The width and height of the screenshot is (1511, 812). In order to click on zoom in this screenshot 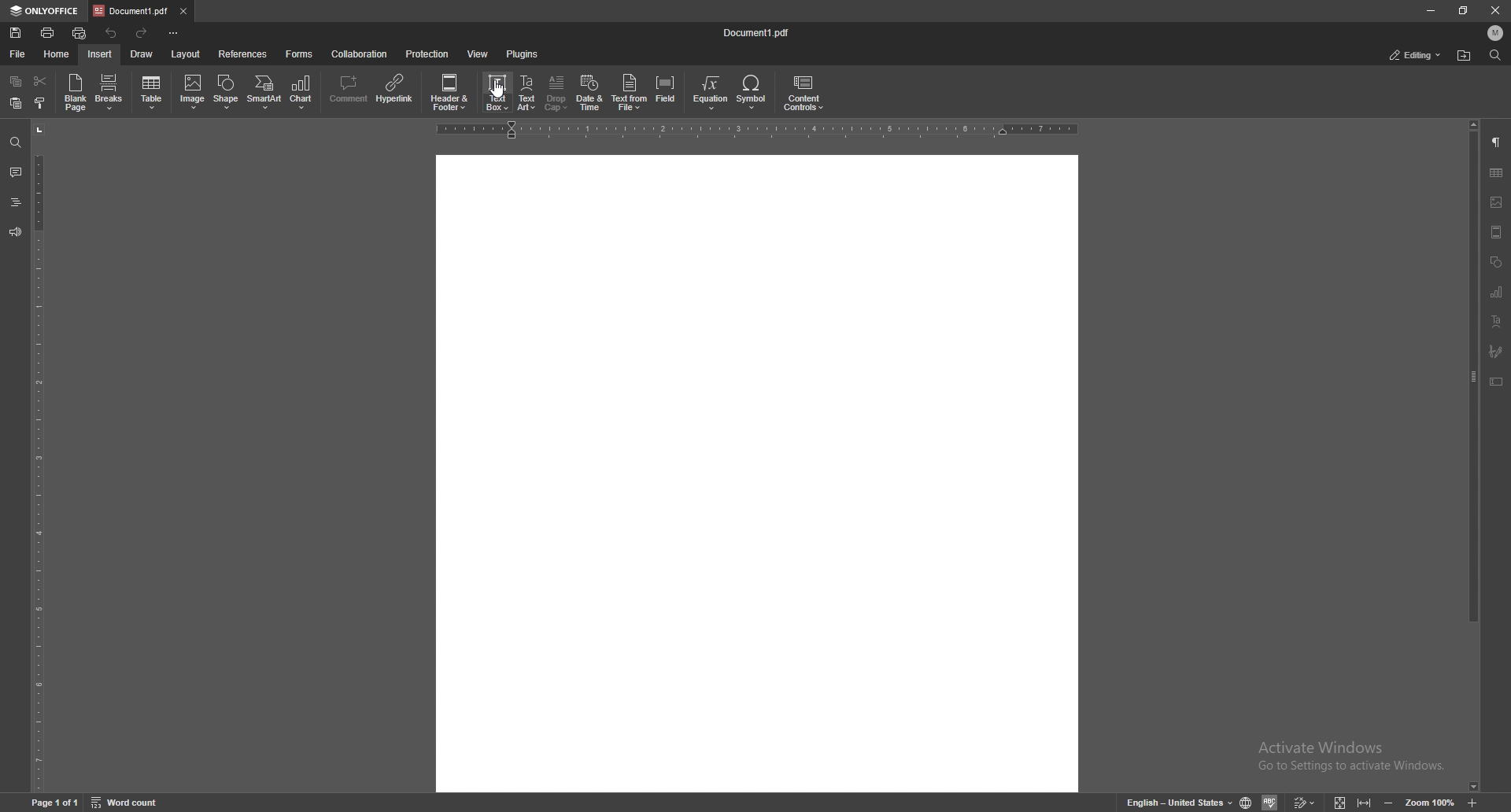, I will do `click(1430, 803)`.